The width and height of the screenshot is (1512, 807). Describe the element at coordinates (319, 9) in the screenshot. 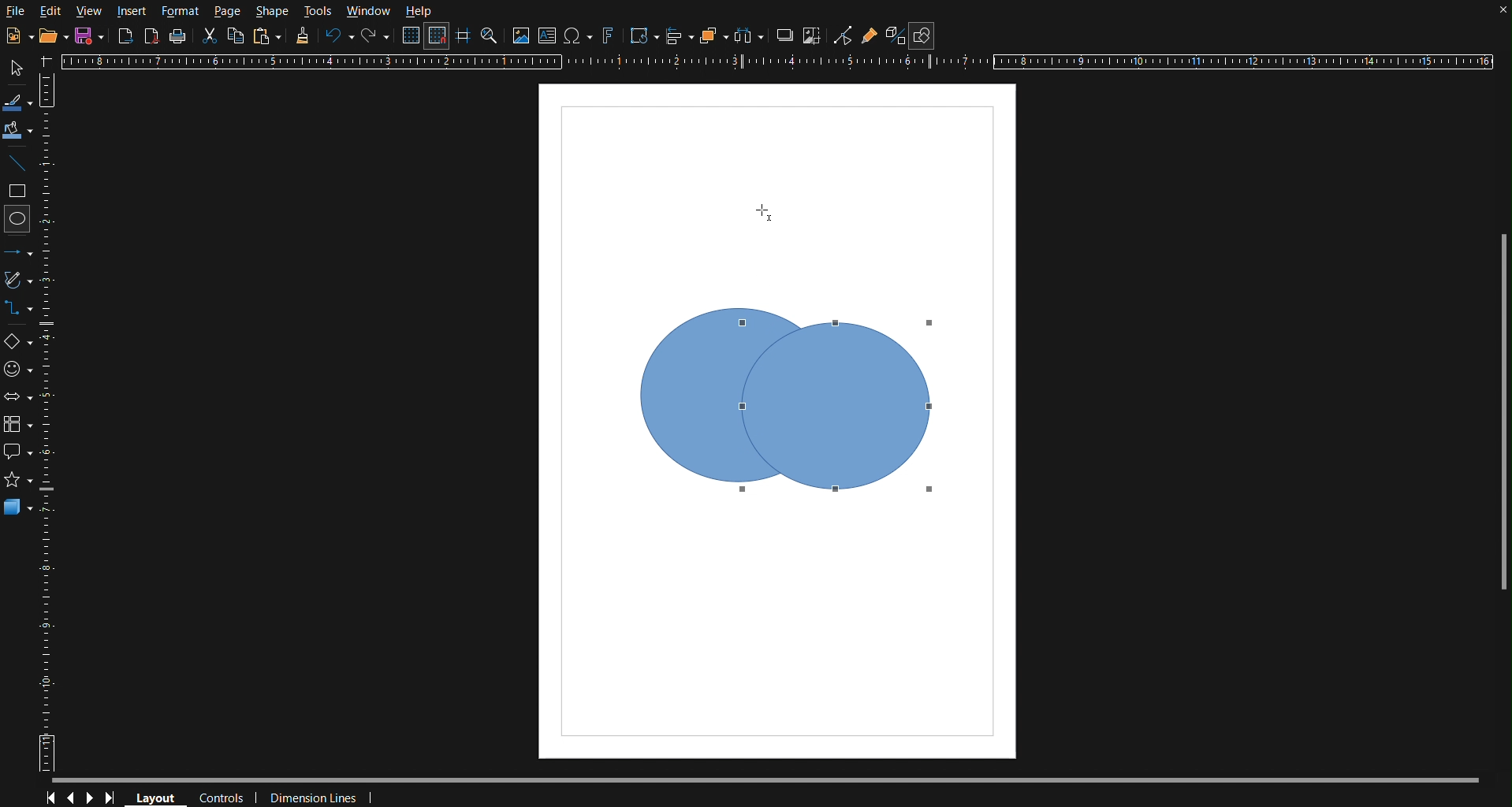

I see `Tools` at that location.